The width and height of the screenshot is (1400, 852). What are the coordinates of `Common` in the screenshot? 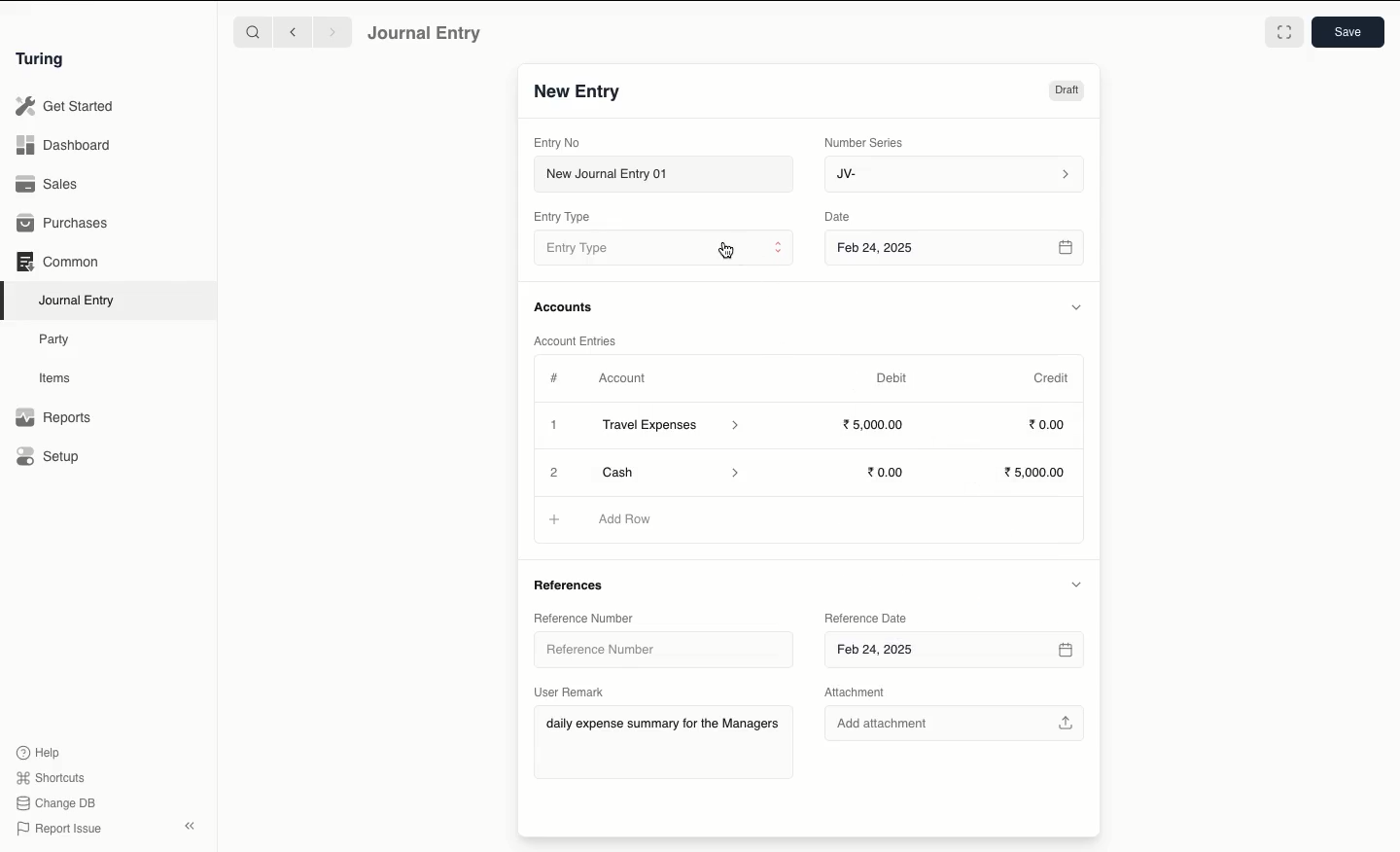 It's located at (59, 262).